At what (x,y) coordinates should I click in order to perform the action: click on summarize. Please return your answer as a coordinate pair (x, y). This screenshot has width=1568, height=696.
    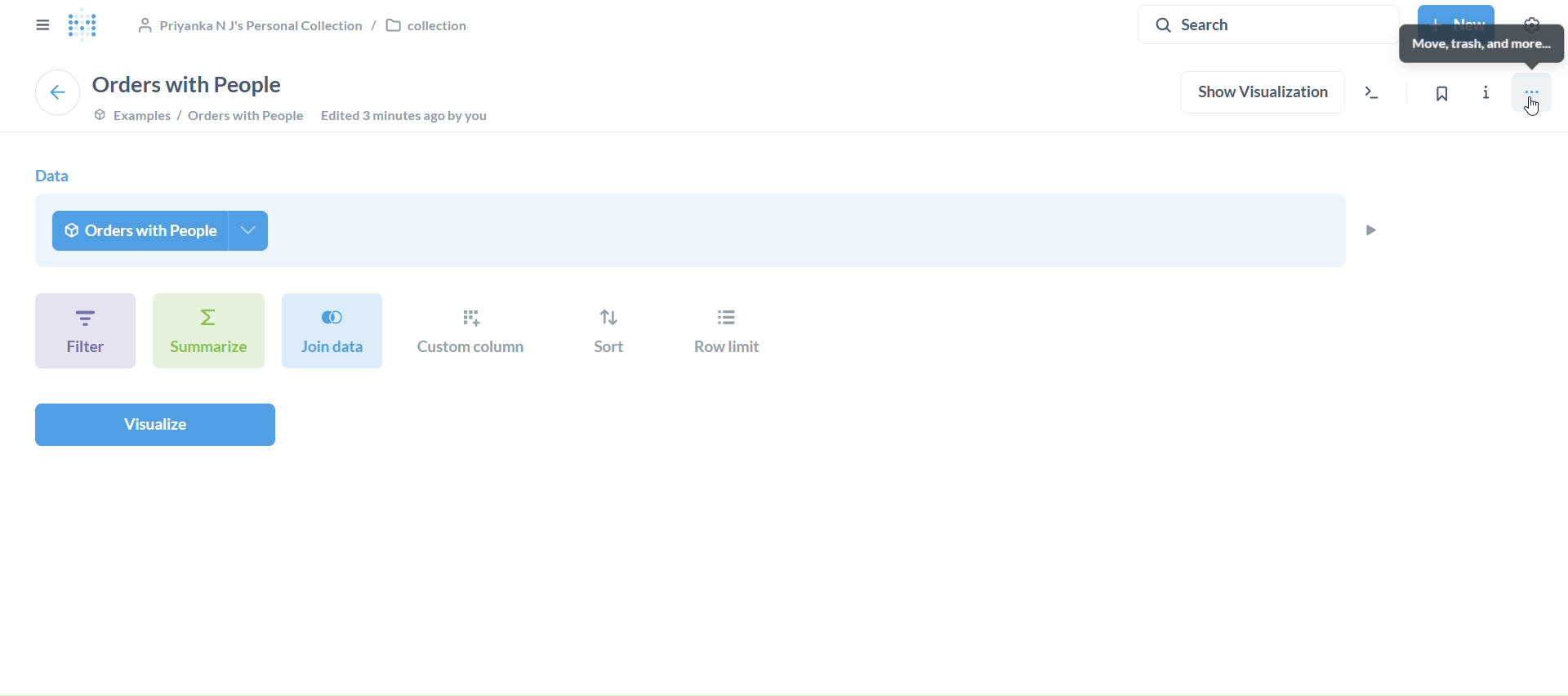
    Looking at the image, I should click on (204, 330).